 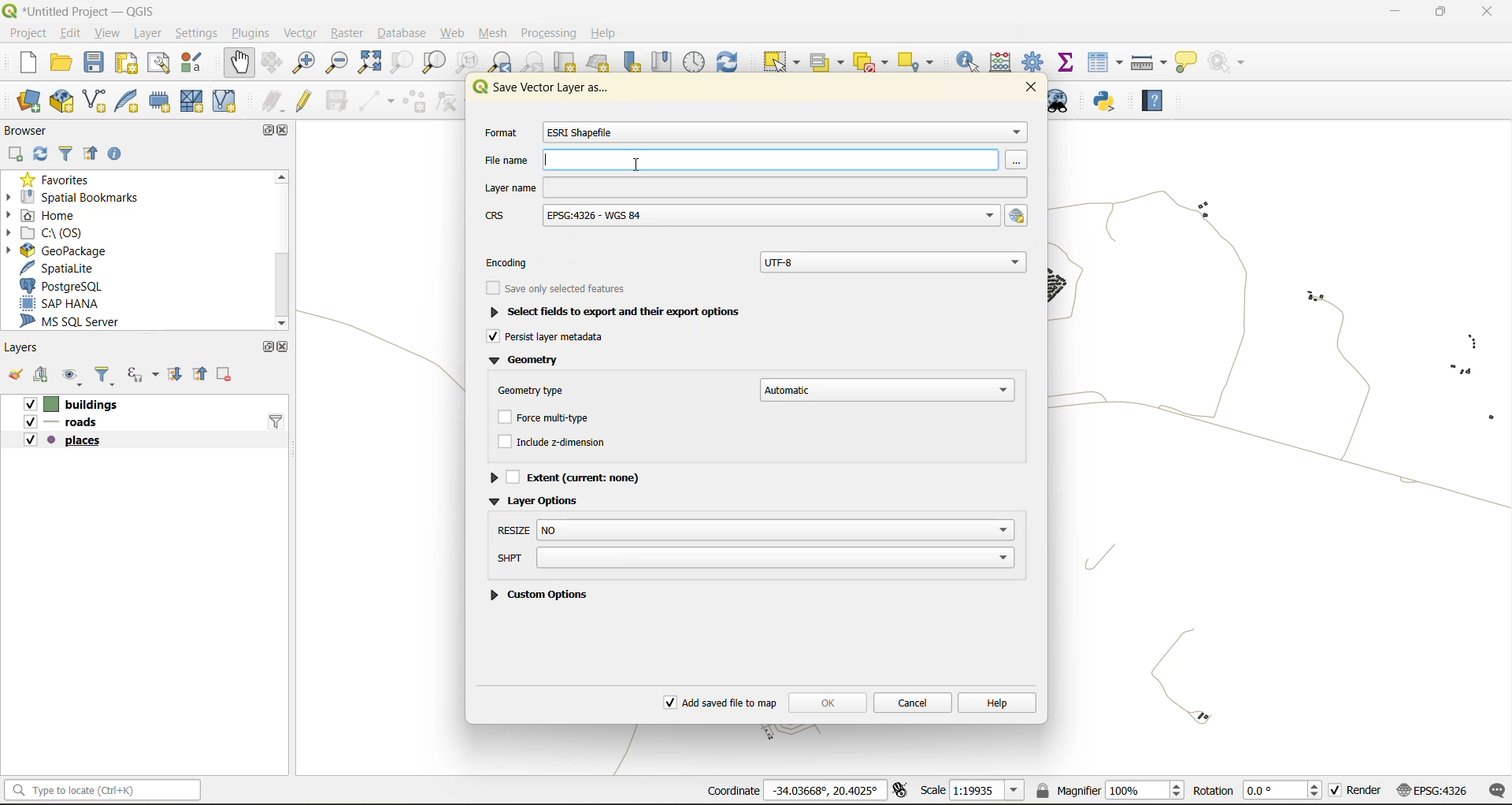 I want to click on enable properties, so click(x=115, y=154).